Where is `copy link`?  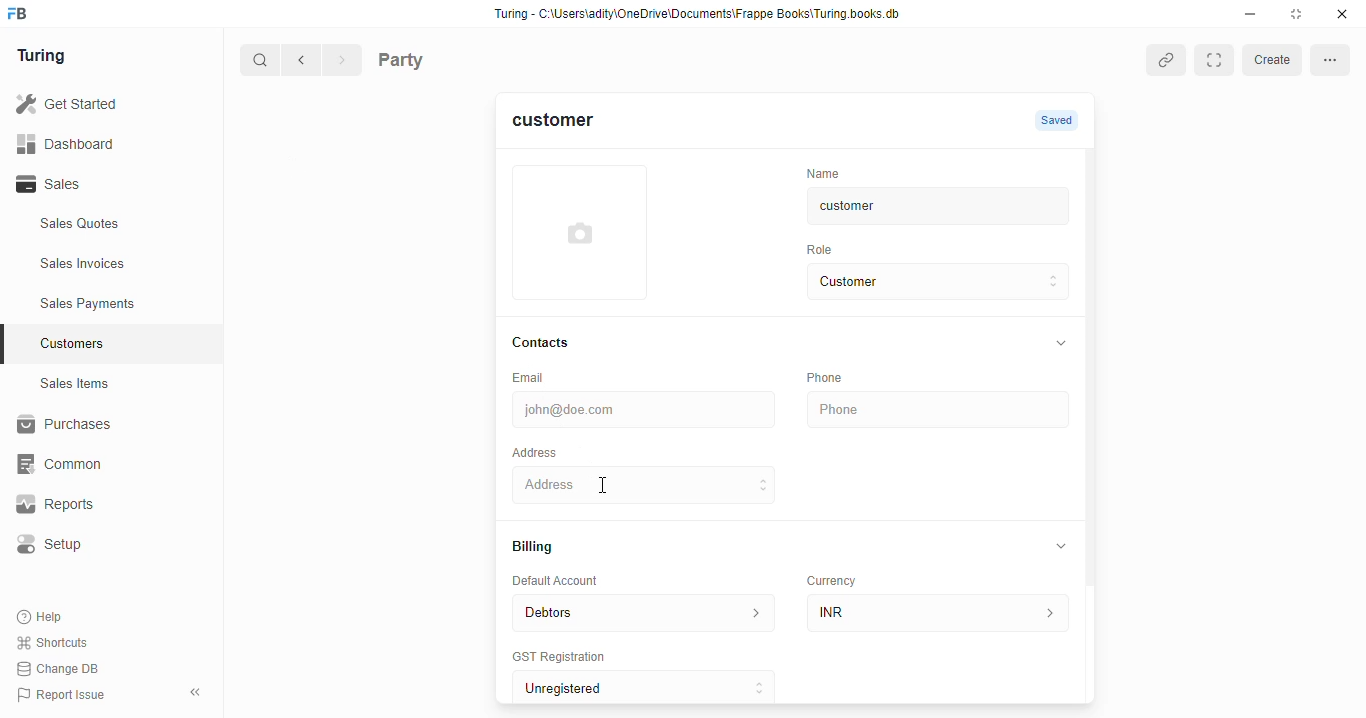
copy link is located at coordinates (1166, 59).